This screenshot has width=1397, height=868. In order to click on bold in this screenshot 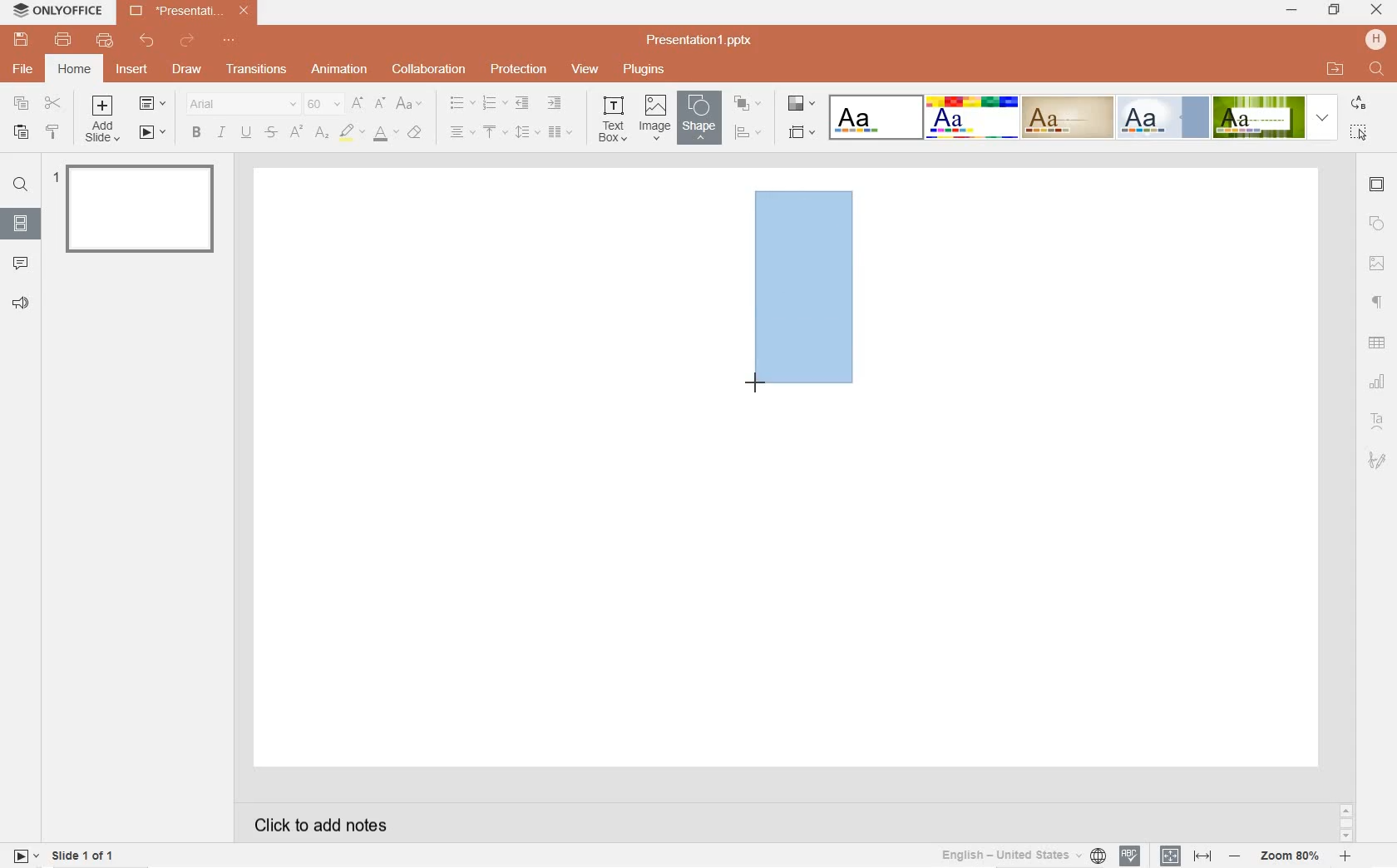, I will do `click(195, 132)`.